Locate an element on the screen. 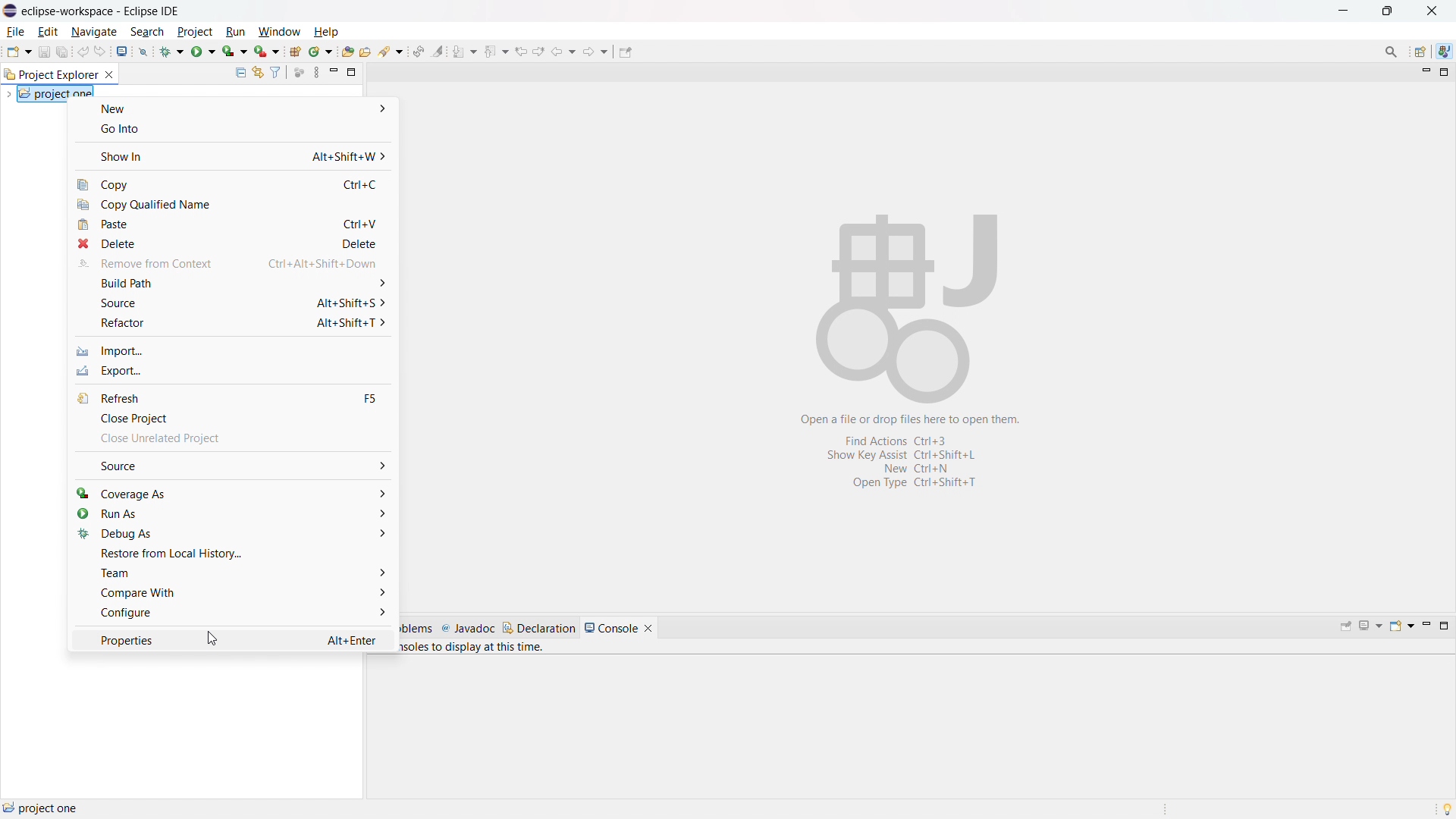 The height and width of the screenshot is (819, 1456). remove from context is located at coordinates (232, 264).